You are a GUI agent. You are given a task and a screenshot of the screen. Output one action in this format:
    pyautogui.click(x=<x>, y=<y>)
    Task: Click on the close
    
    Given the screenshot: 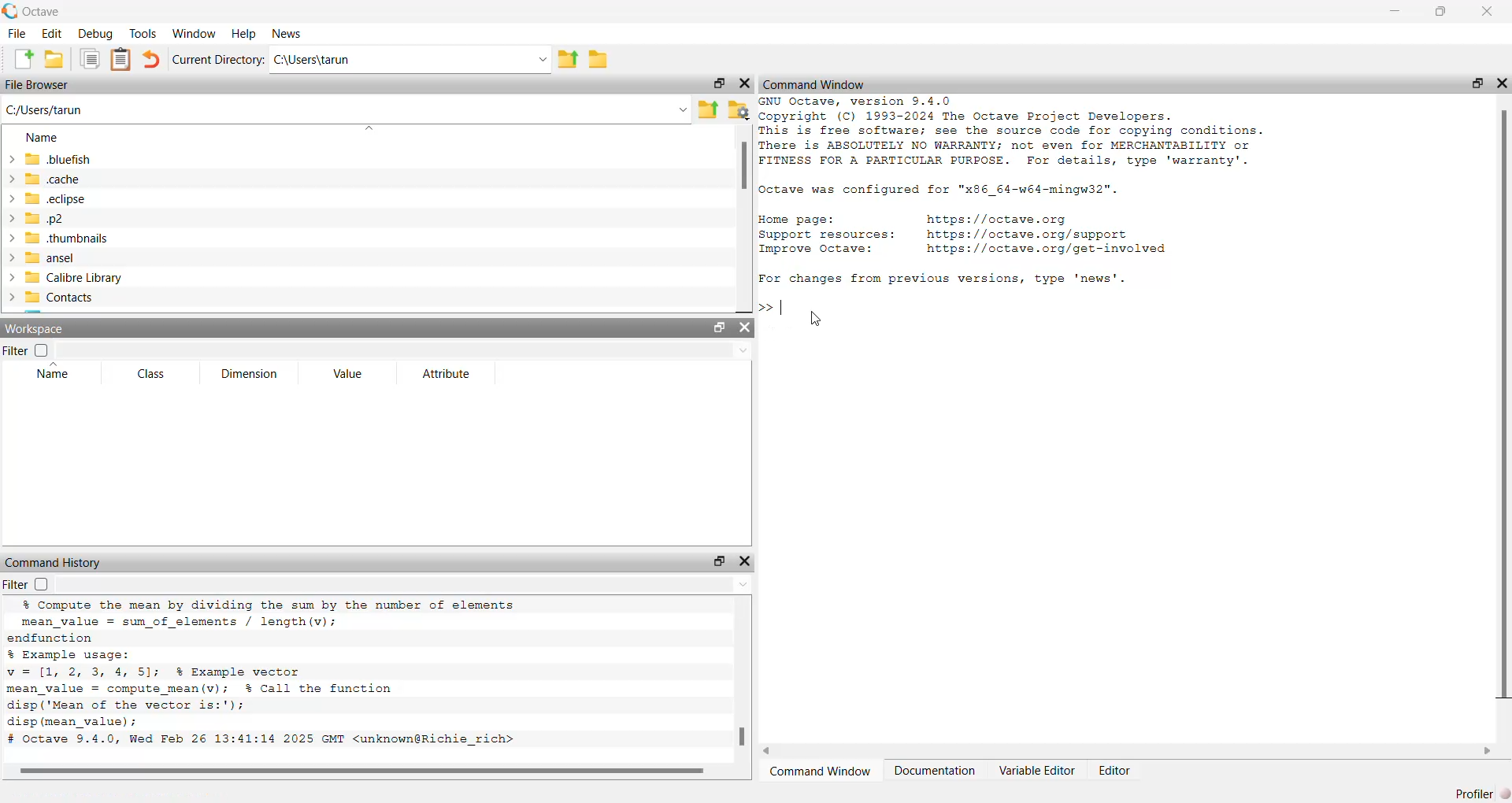 What is the action you would take?
    pyautogui.click(x=1487, y=11)
    